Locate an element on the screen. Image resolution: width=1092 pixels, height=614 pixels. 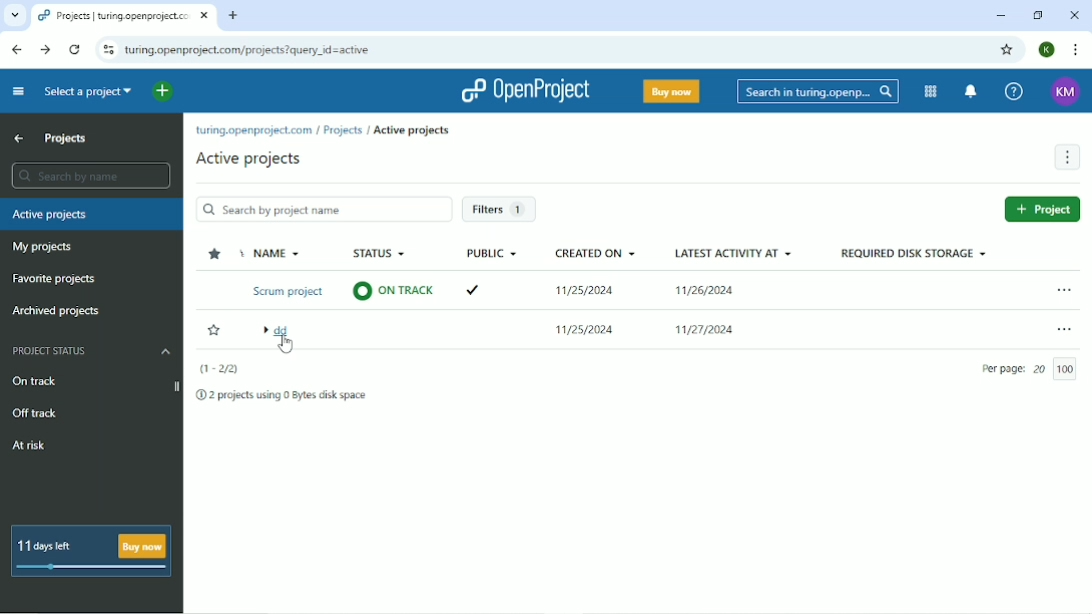
Project status is located at coordinates (92, 350).